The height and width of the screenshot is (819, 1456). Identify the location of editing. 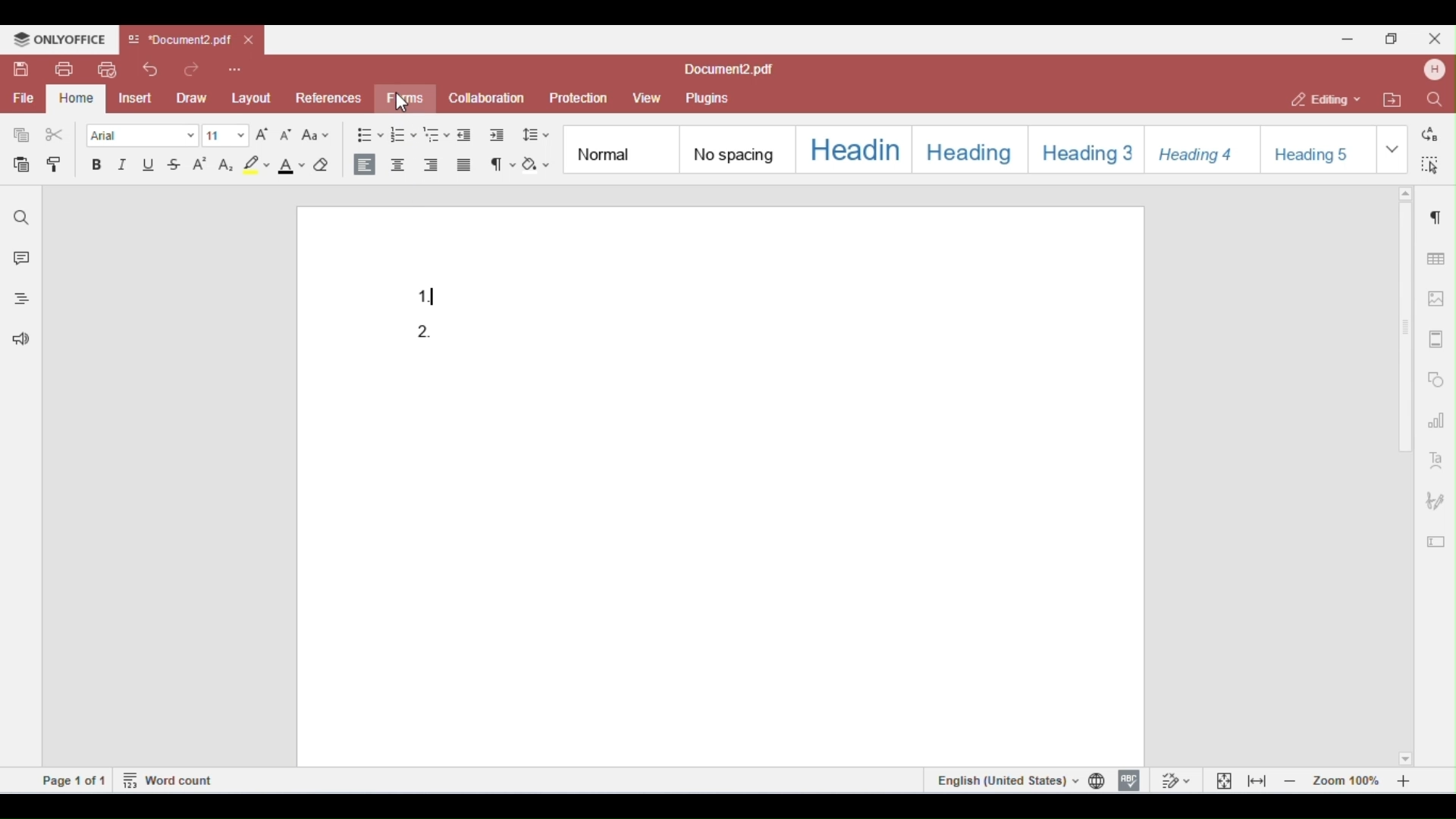
(1327, 99).